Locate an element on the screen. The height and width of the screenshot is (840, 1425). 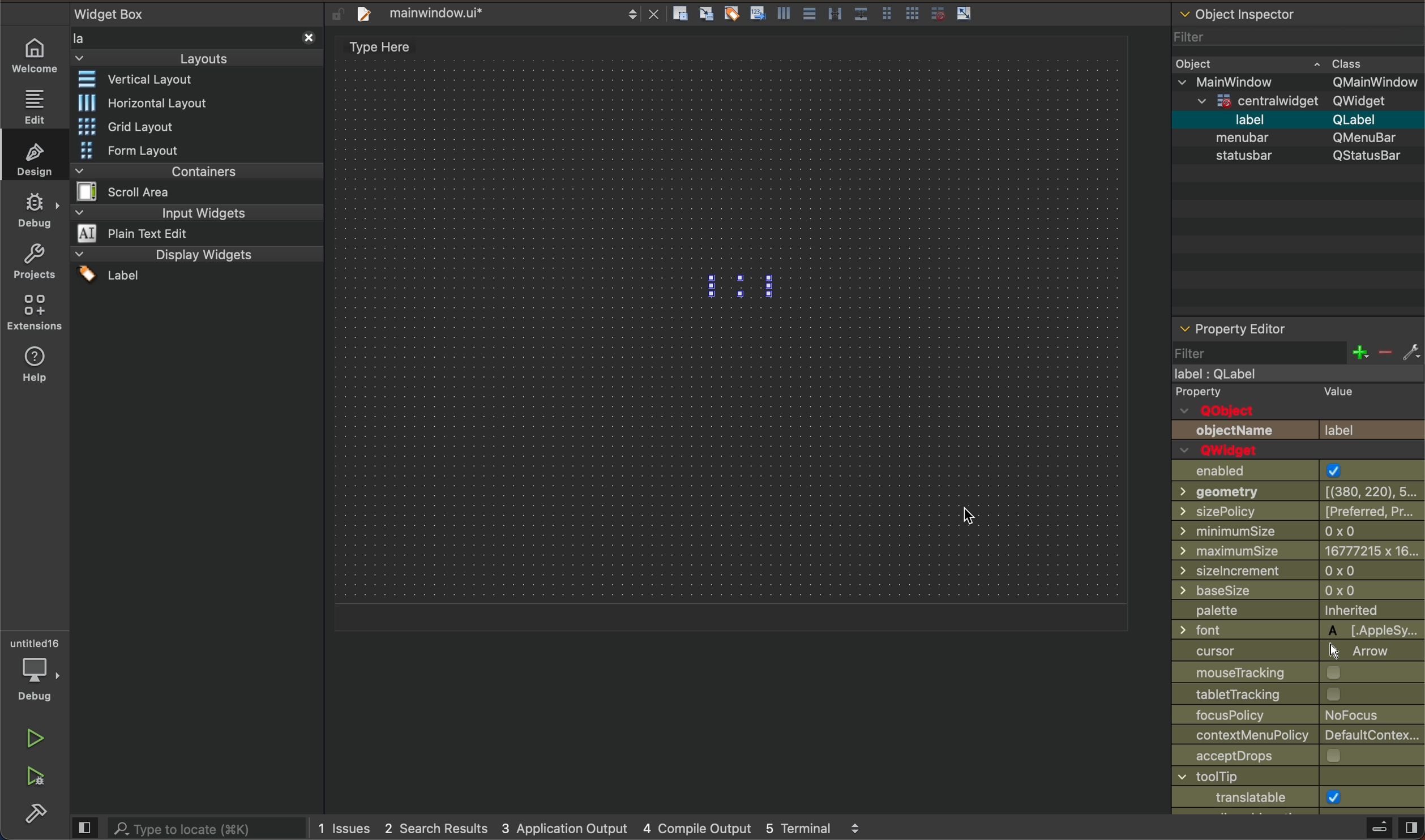
help is located at coordinates (32, 366).